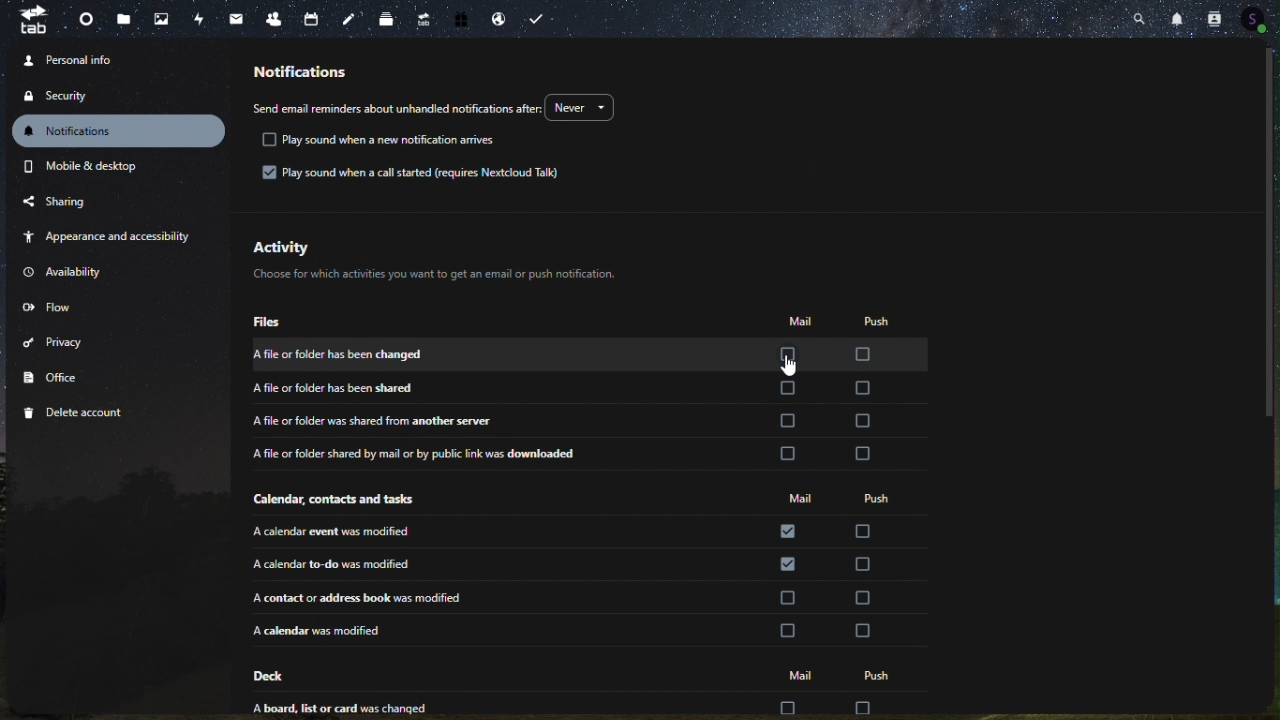 The height and width of the screenshot is (720, 1280). Describe the element at coordinates (863, 531) in the screenshot. I see `check box` at that location.